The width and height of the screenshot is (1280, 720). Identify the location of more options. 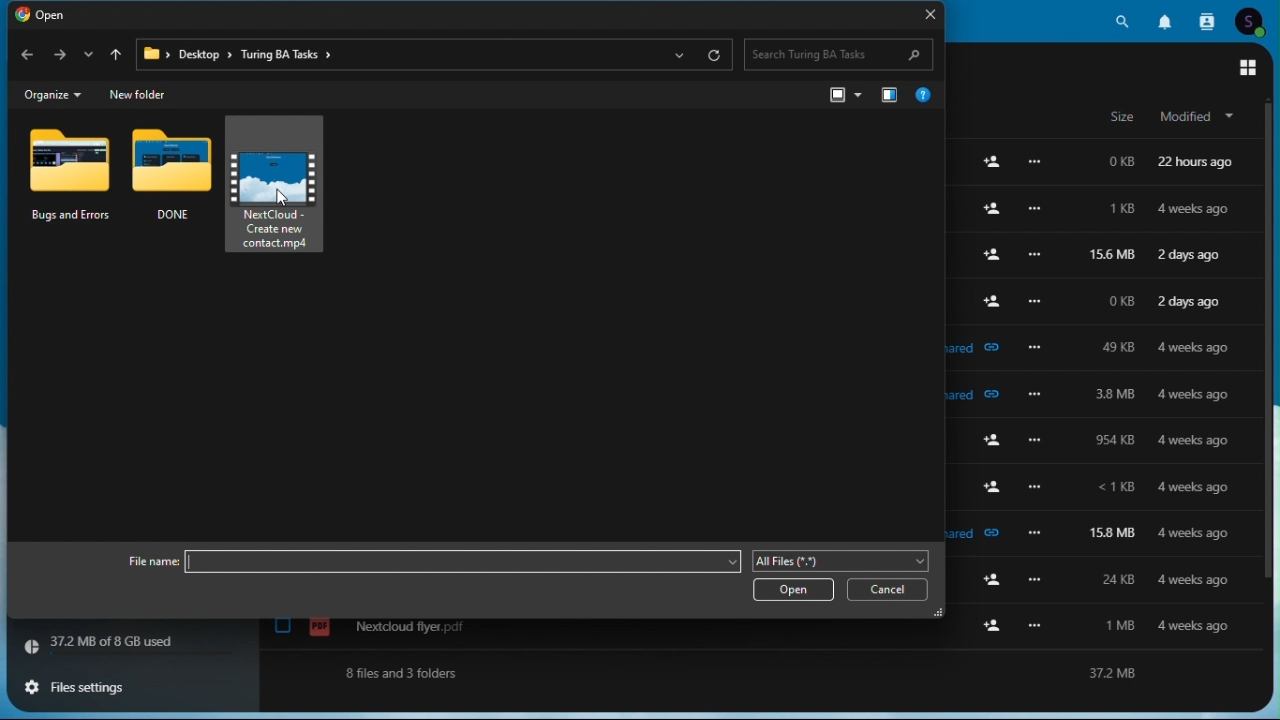
(1038, 627).